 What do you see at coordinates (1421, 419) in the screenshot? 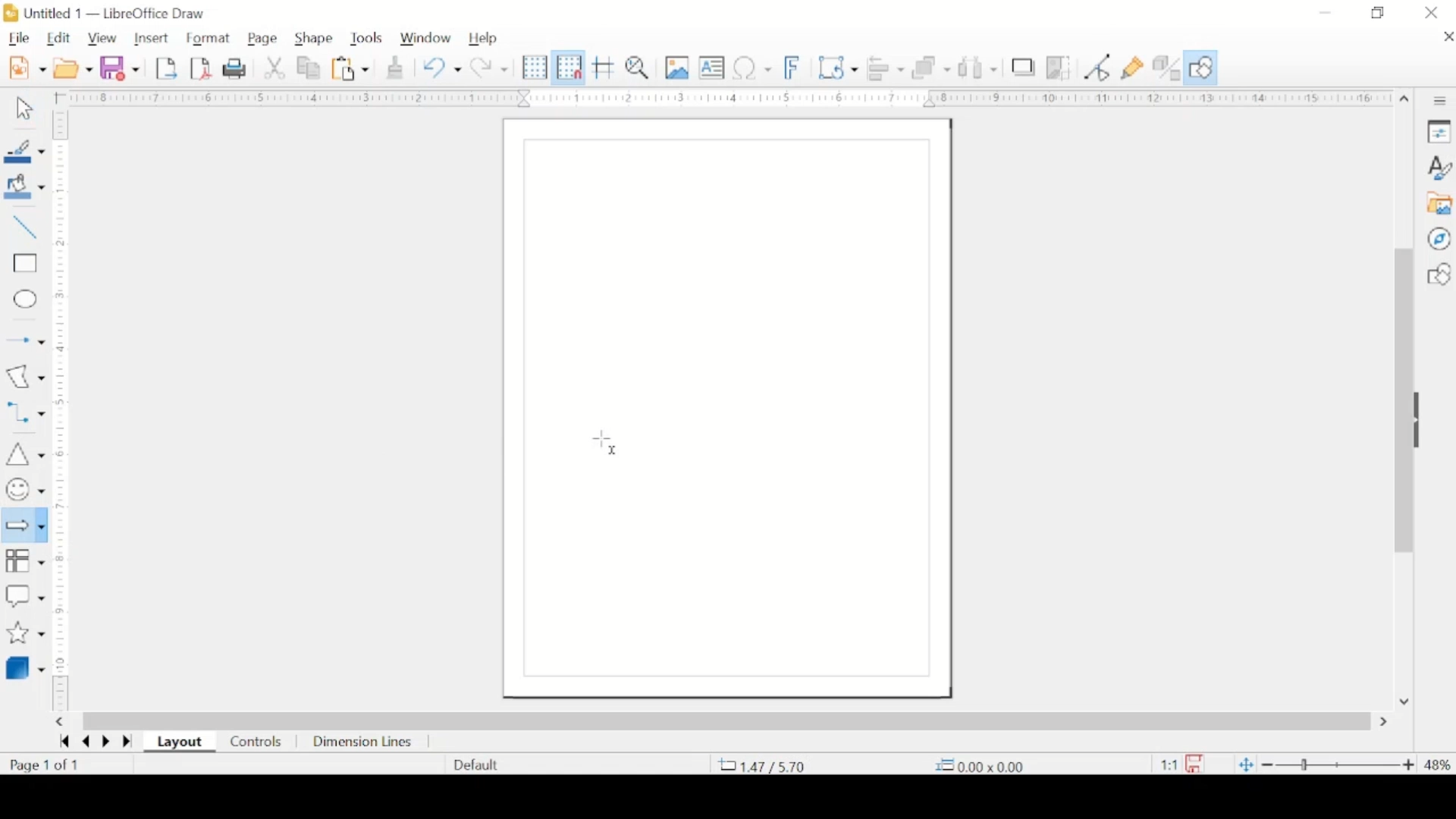
I see `drag handle` at bounding box center [1421, 419].